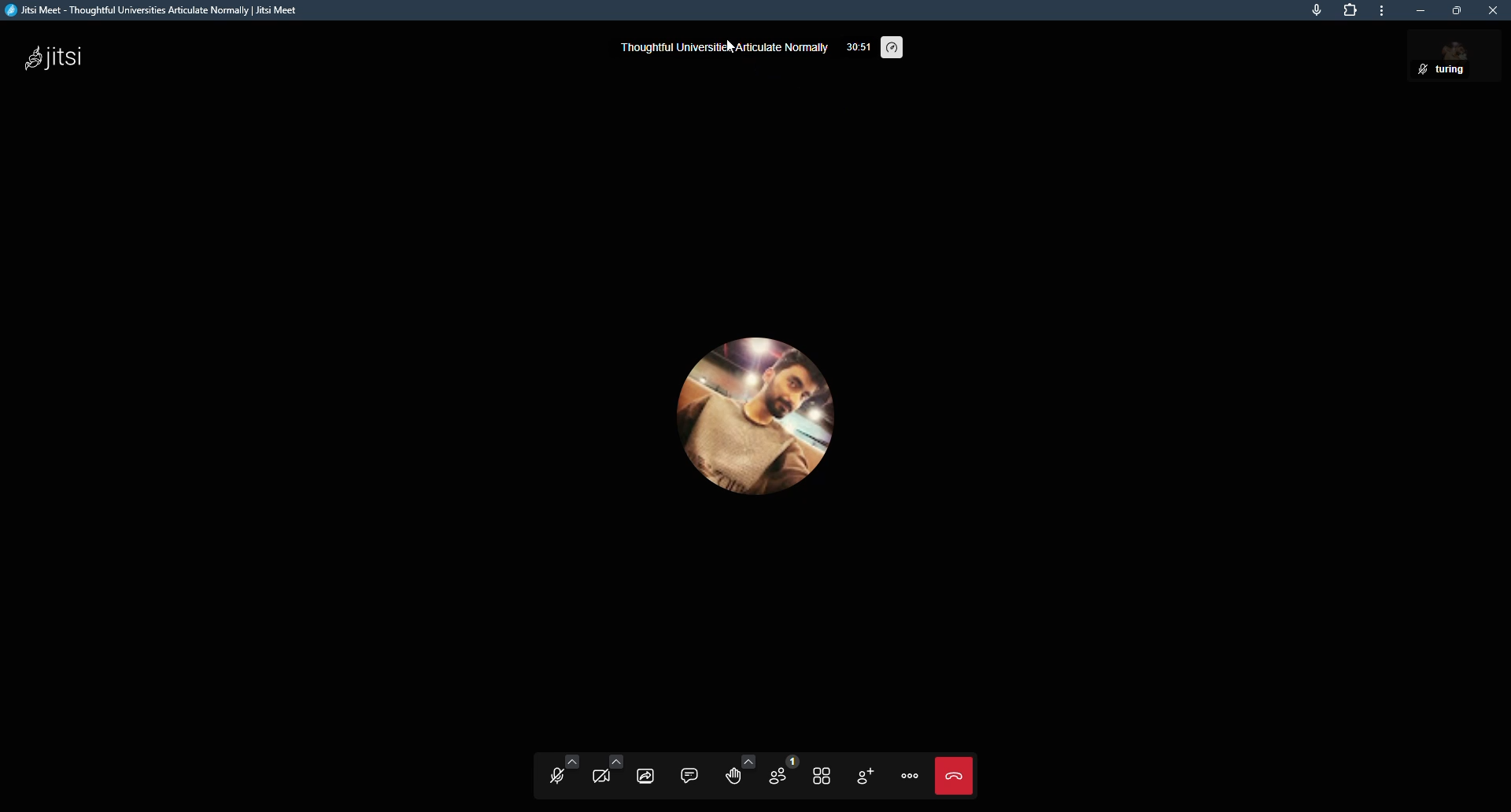  I want to click on profile picture, so click(766, 416).